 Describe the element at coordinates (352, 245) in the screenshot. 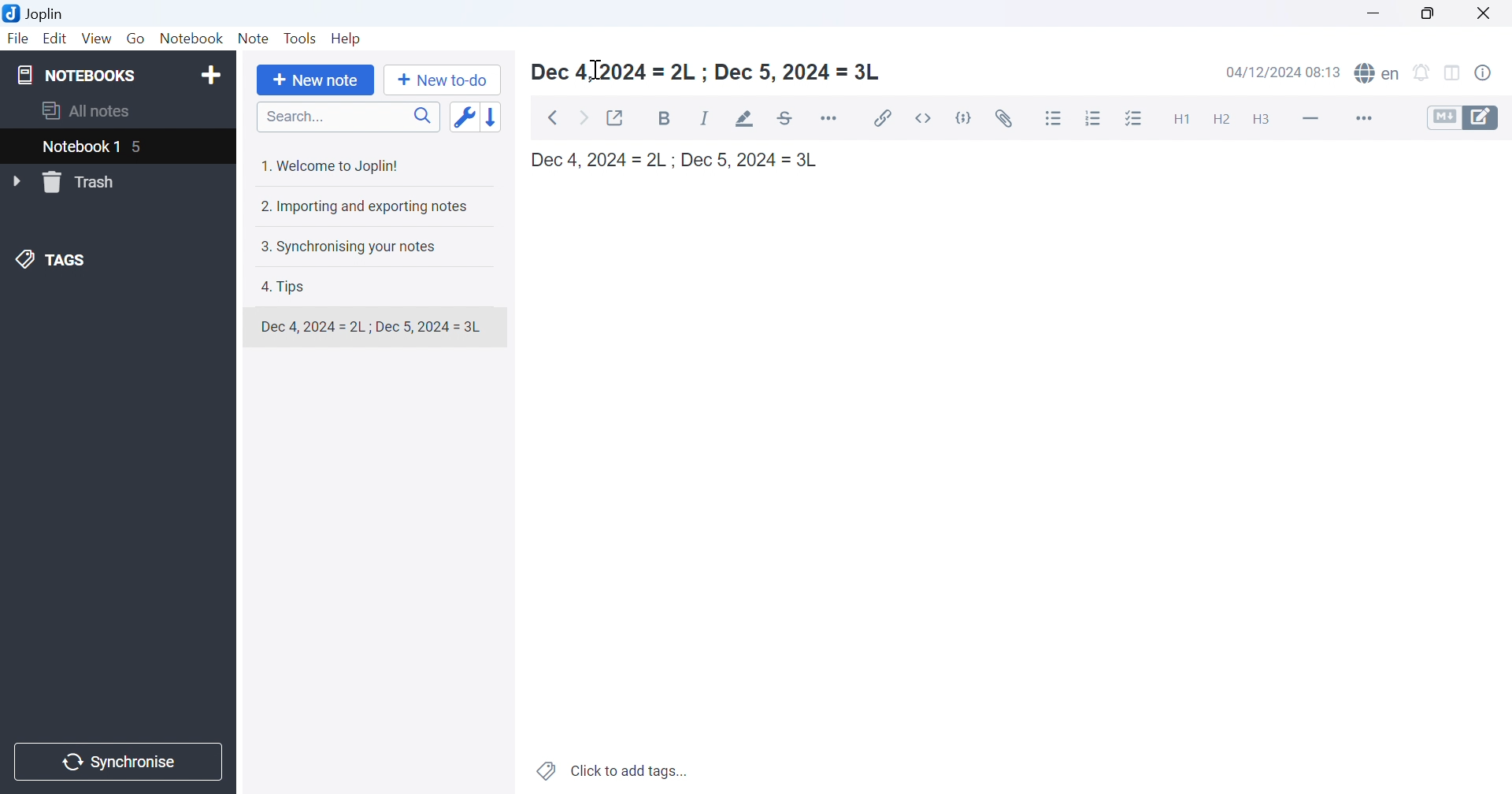

I see `3. Synchronising your notes` at that location.